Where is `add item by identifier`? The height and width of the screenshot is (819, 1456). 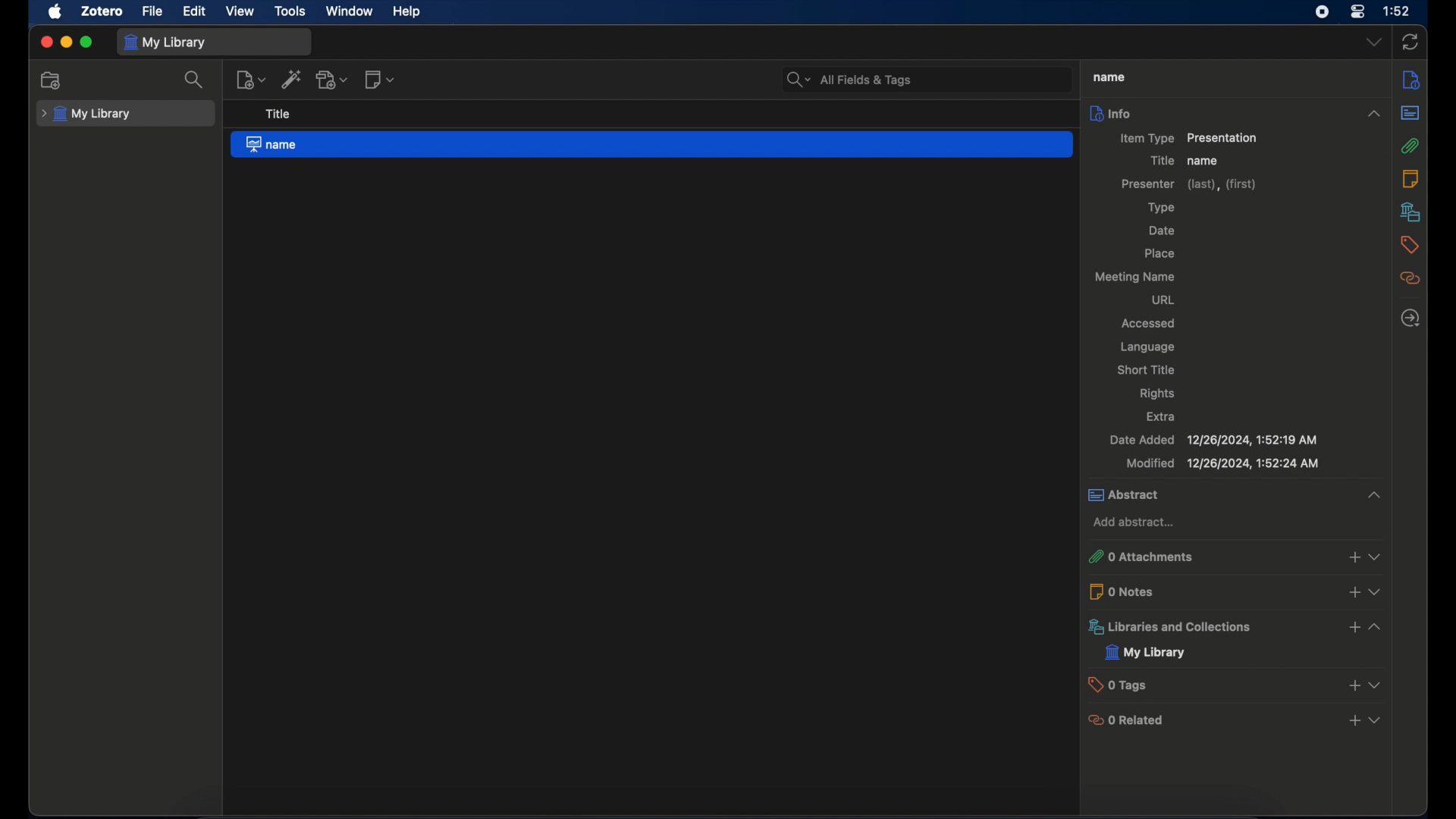 add item by identifier is located at coordinates (293, 79).